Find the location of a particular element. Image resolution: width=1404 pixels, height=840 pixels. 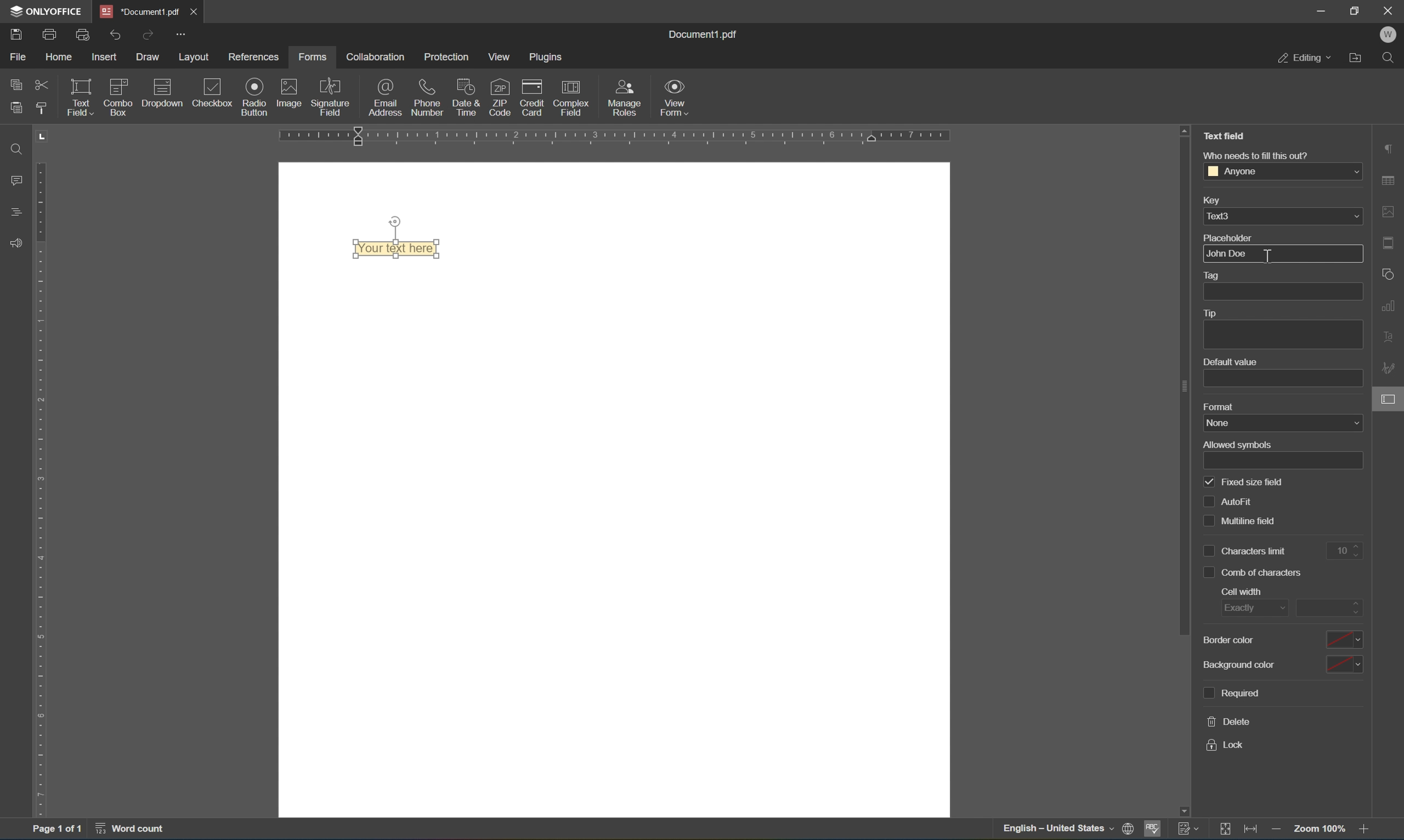

insert is located at coordinates (106, 57).